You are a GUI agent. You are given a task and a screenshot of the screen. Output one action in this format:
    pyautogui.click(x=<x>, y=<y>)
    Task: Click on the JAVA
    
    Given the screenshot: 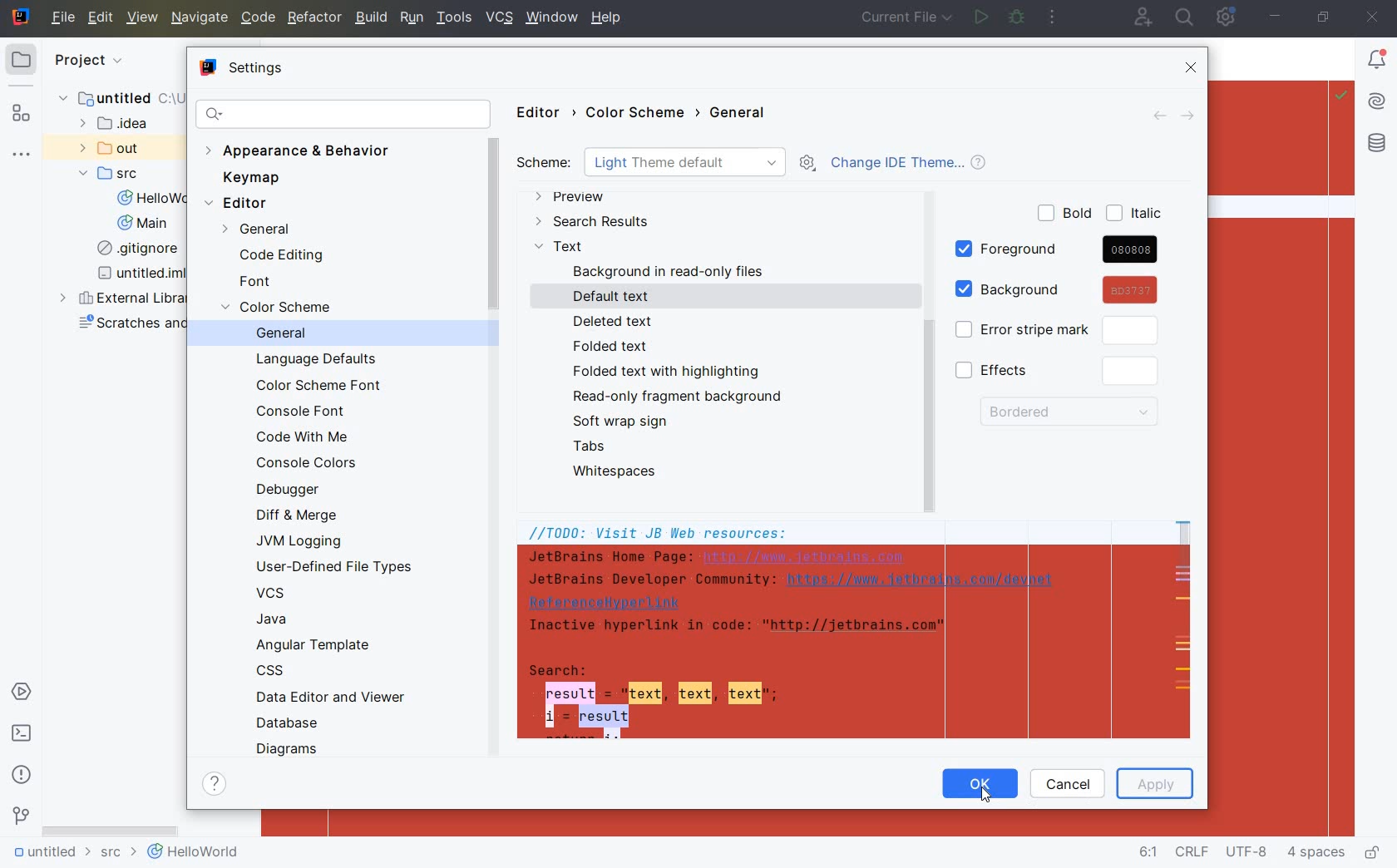 What is the action you would take?
    pyautogui.click(x=289, y=619)
    